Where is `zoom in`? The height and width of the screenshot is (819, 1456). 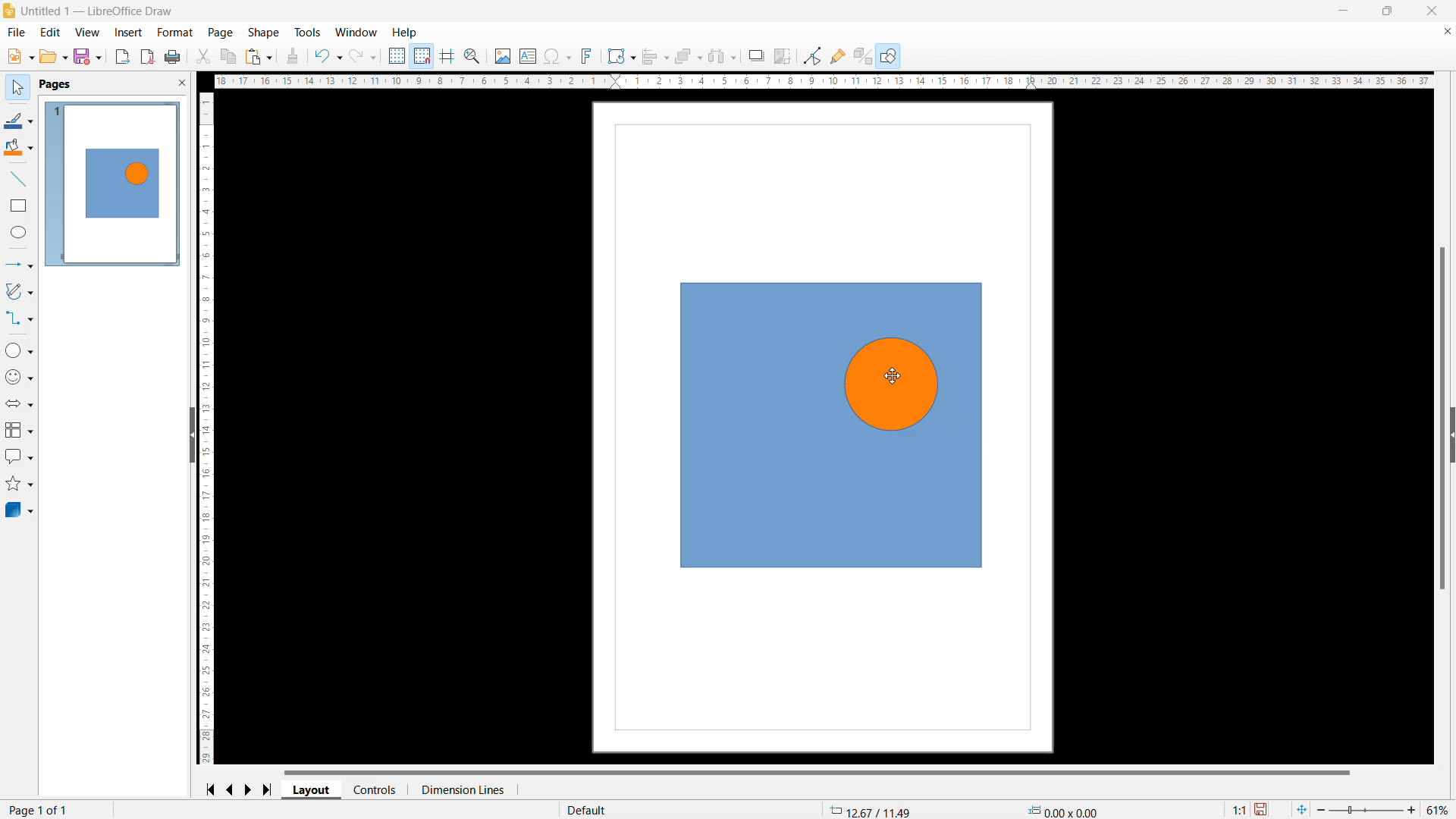
zoom in is located at coordinates (1413, 810).